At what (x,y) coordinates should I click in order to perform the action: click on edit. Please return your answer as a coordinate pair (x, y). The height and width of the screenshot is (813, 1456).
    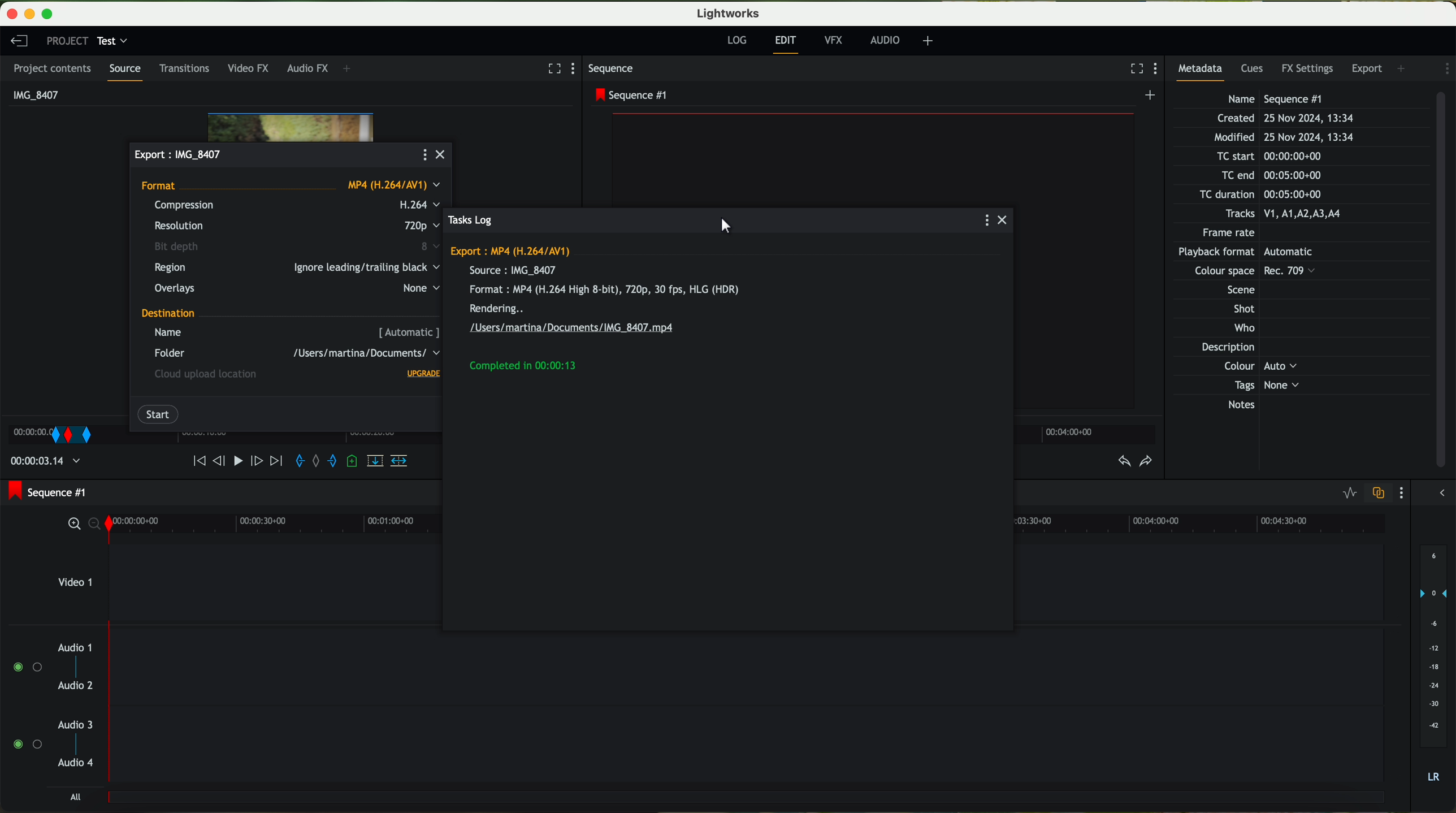
    Looking at the image, I should click on (787, 44).